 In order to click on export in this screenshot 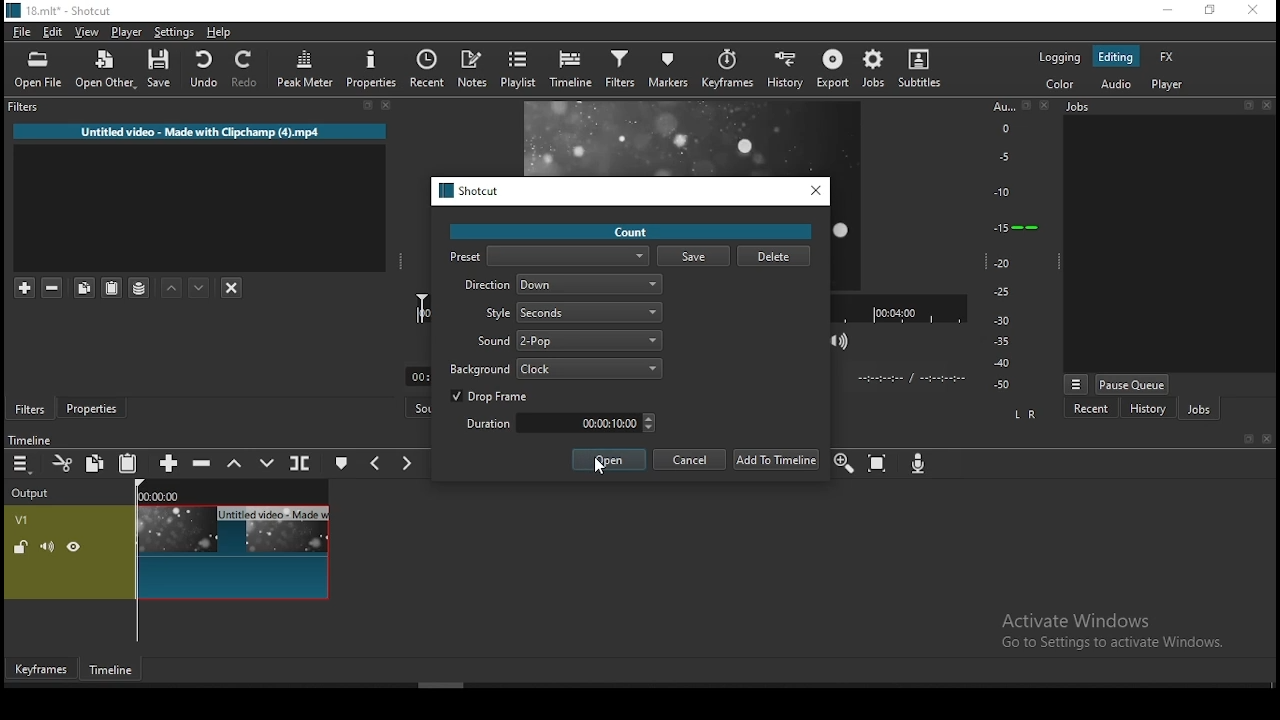, I will do `click(832, 67)`.